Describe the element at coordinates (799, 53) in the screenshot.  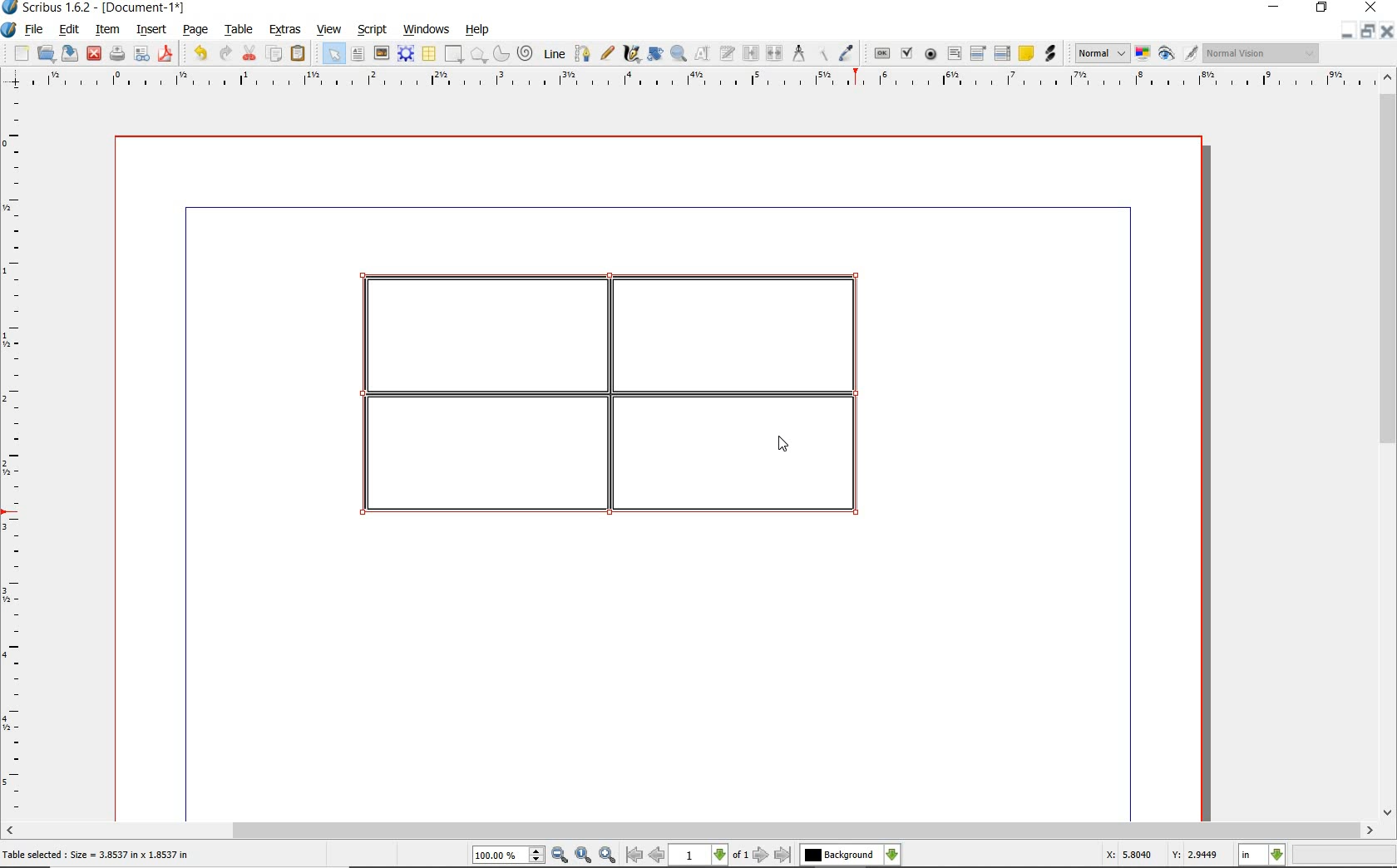
I see `measurements` at that location.